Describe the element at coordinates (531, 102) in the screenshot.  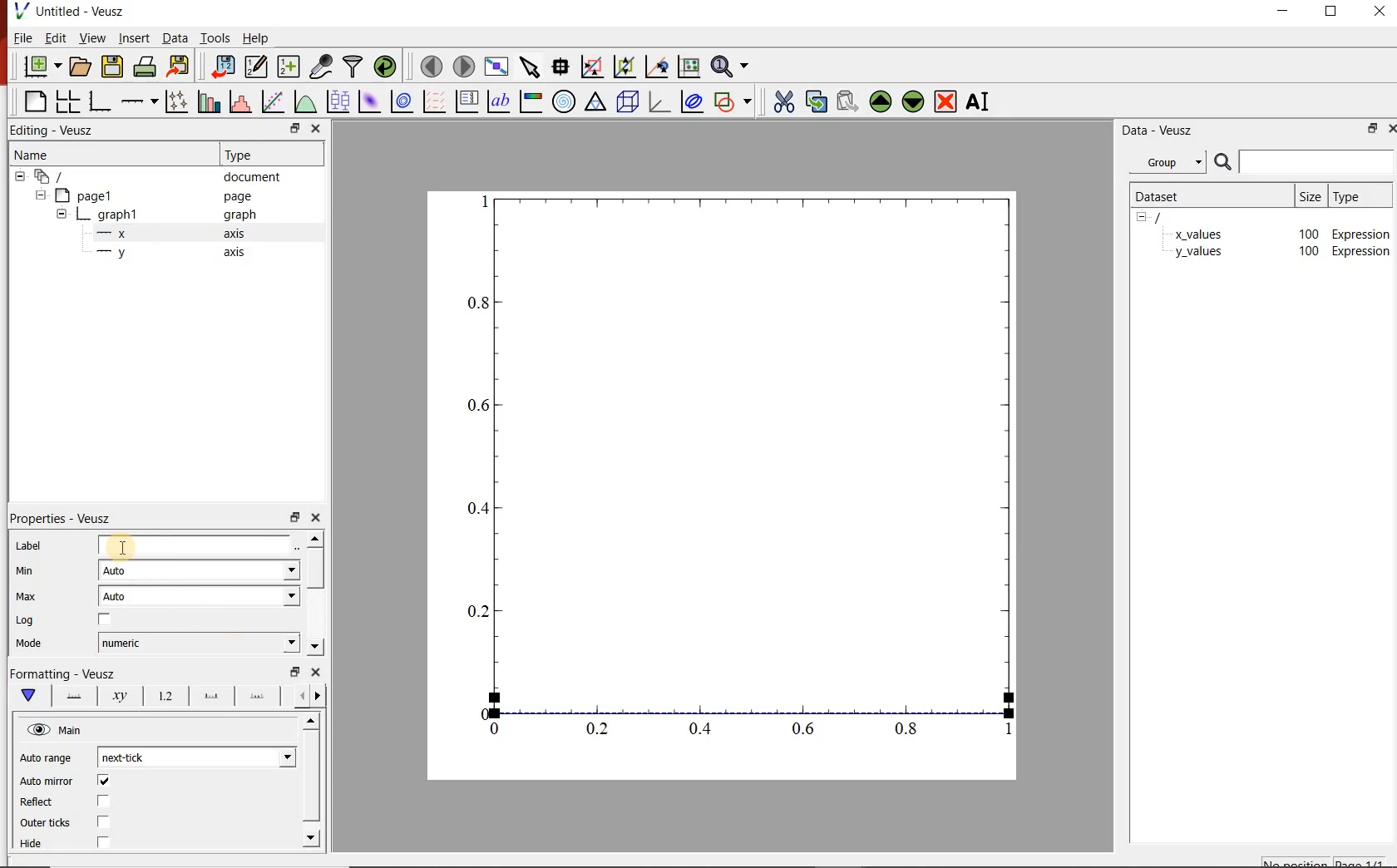
I see `image color bar` at that location.